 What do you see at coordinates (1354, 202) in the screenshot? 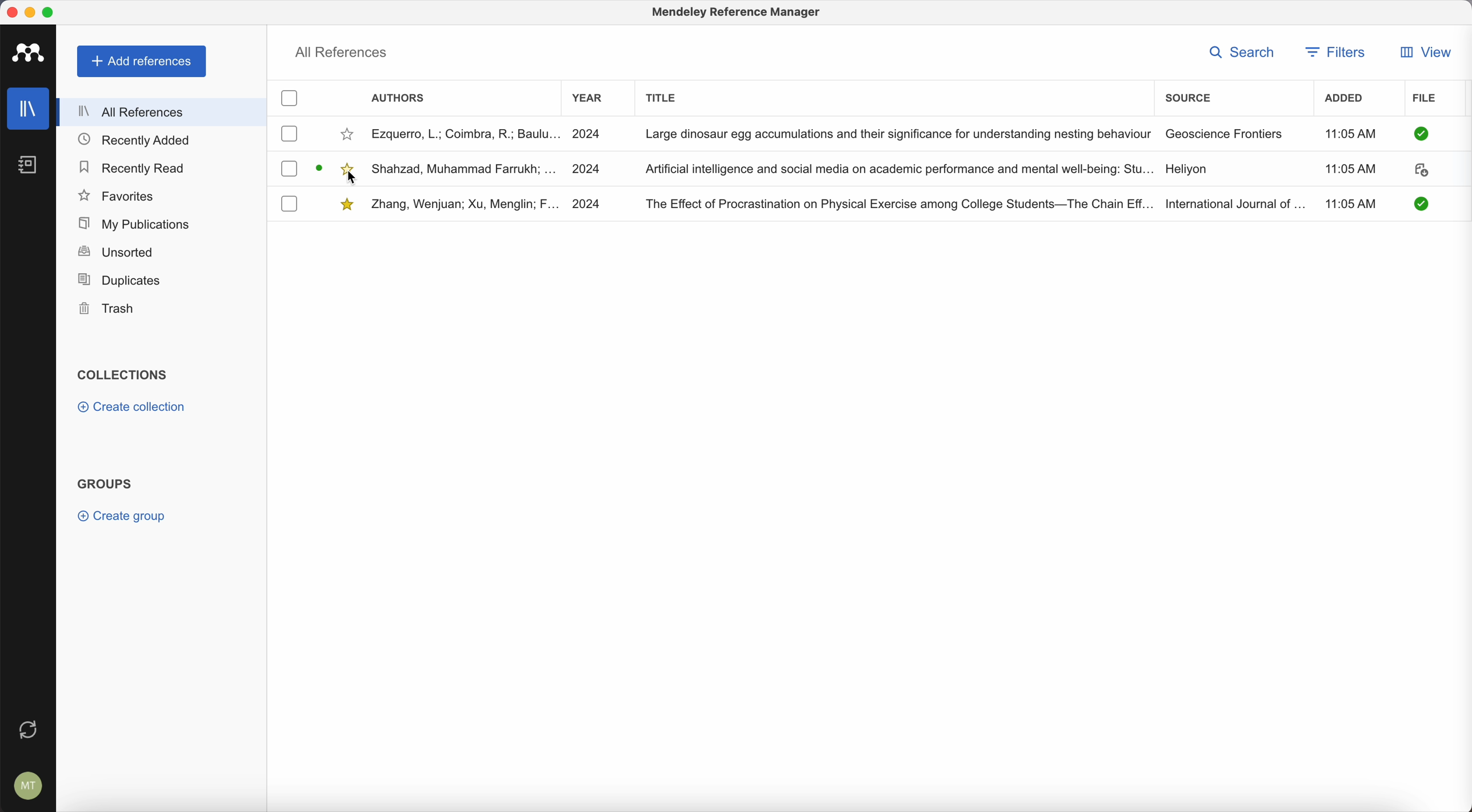
I see `11:05 AM` at bounding box center [1354, 202].